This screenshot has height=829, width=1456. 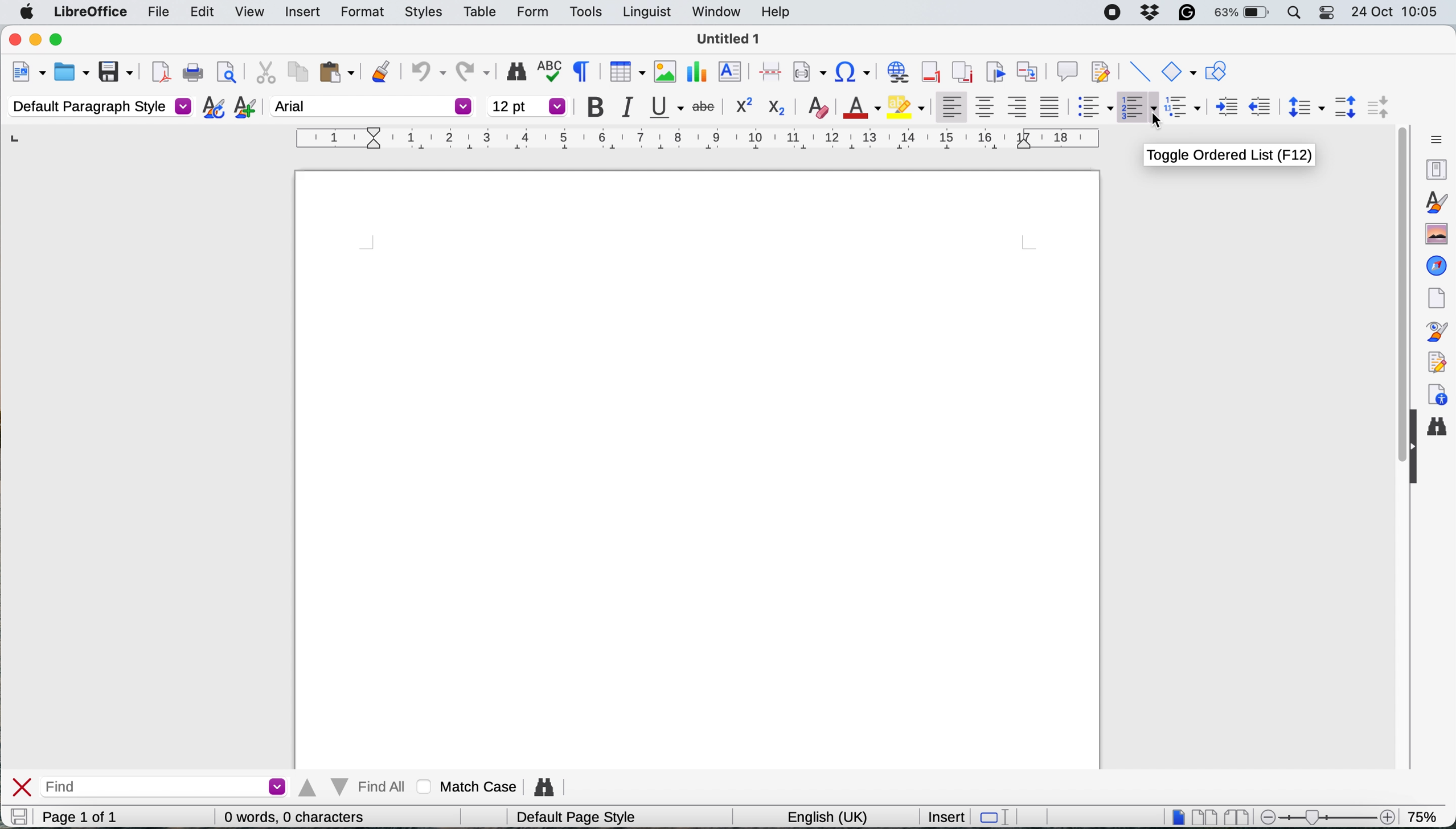 What do you see at coordinates (337, 72) in the screenshot?
I see `paste` at bounding box center [337, 72].